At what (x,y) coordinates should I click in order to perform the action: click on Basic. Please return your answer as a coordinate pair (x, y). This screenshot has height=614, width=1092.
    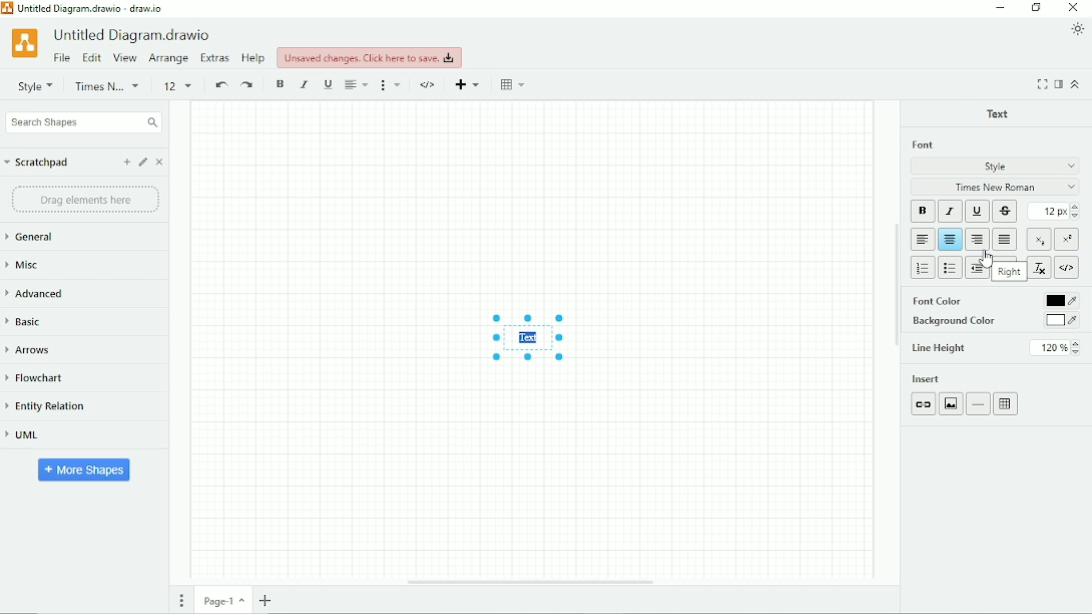
    Looking at the image, I should click on (38, 321).